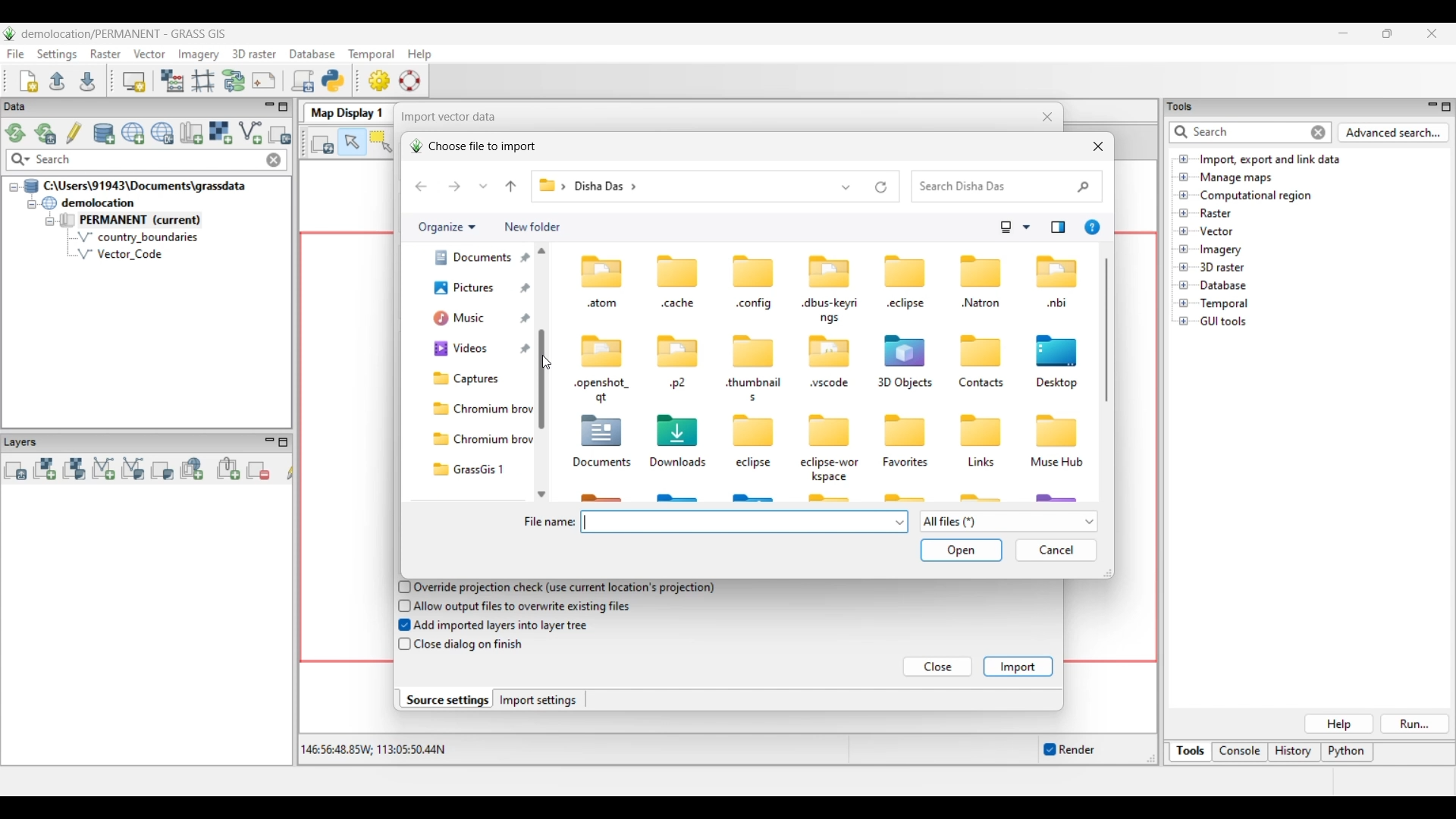  What do you see at coordinates (609, 187) in the screenshot?
I see `disha das` at bounding box center [609, 187].